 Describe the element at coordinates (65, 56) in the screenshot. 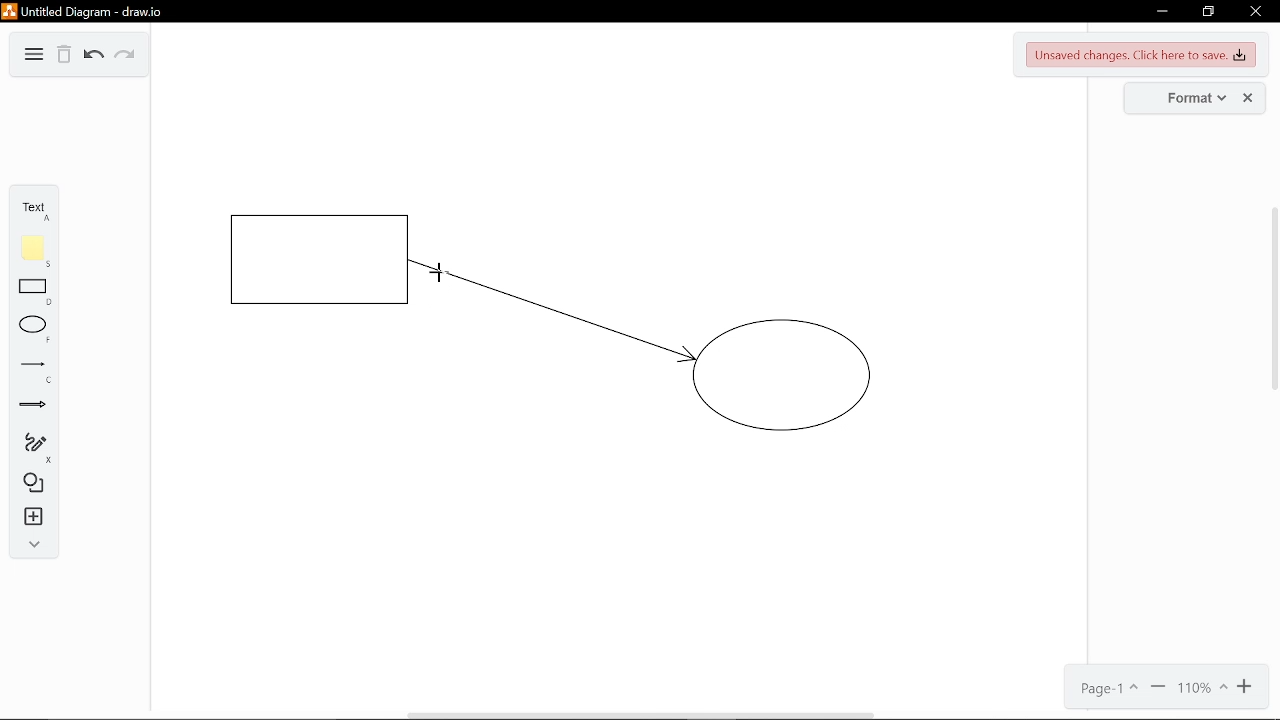

I see `Delete` at that location.